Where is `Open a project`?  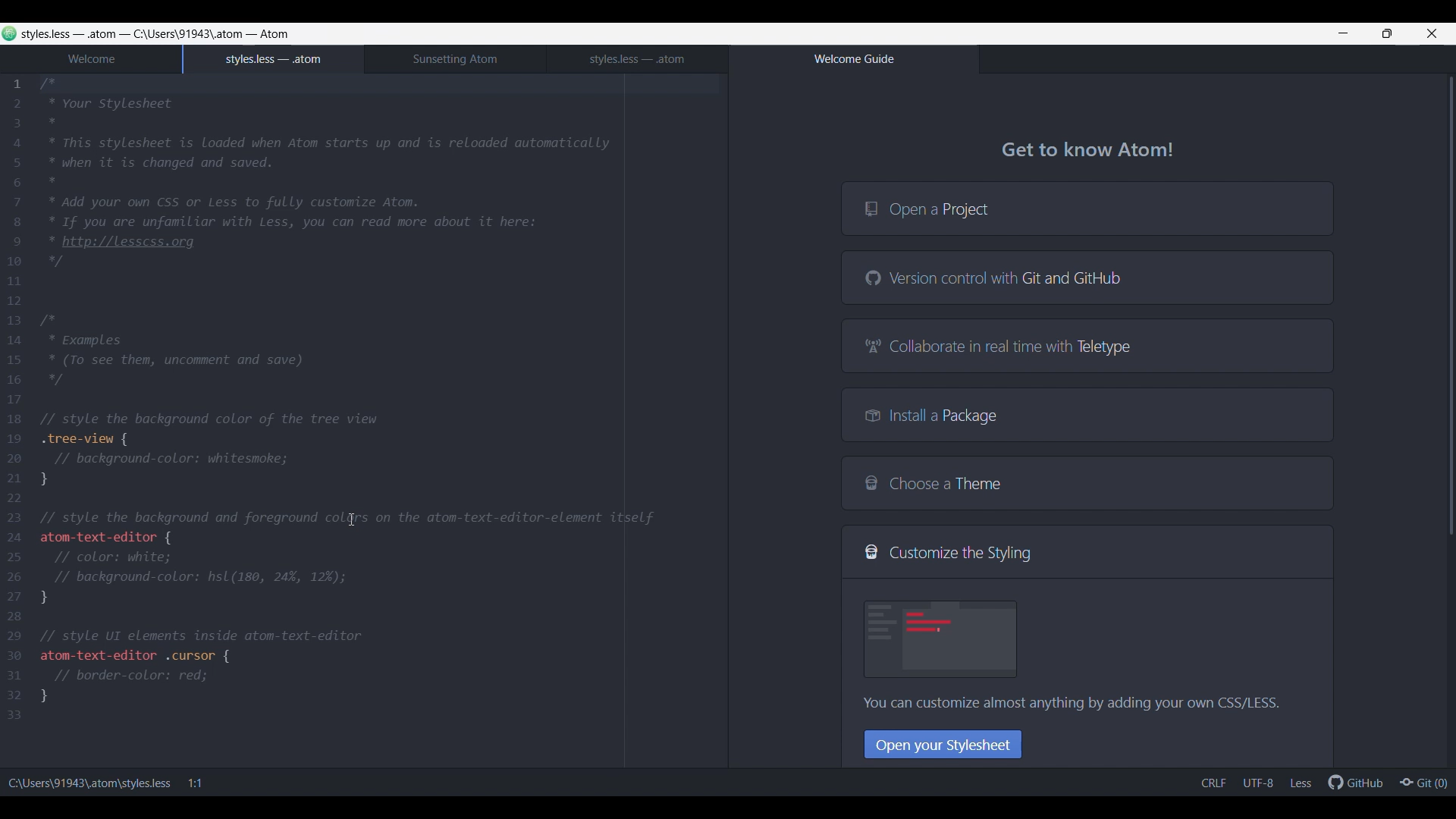 Open a project is located at coordinates (1087, 208).